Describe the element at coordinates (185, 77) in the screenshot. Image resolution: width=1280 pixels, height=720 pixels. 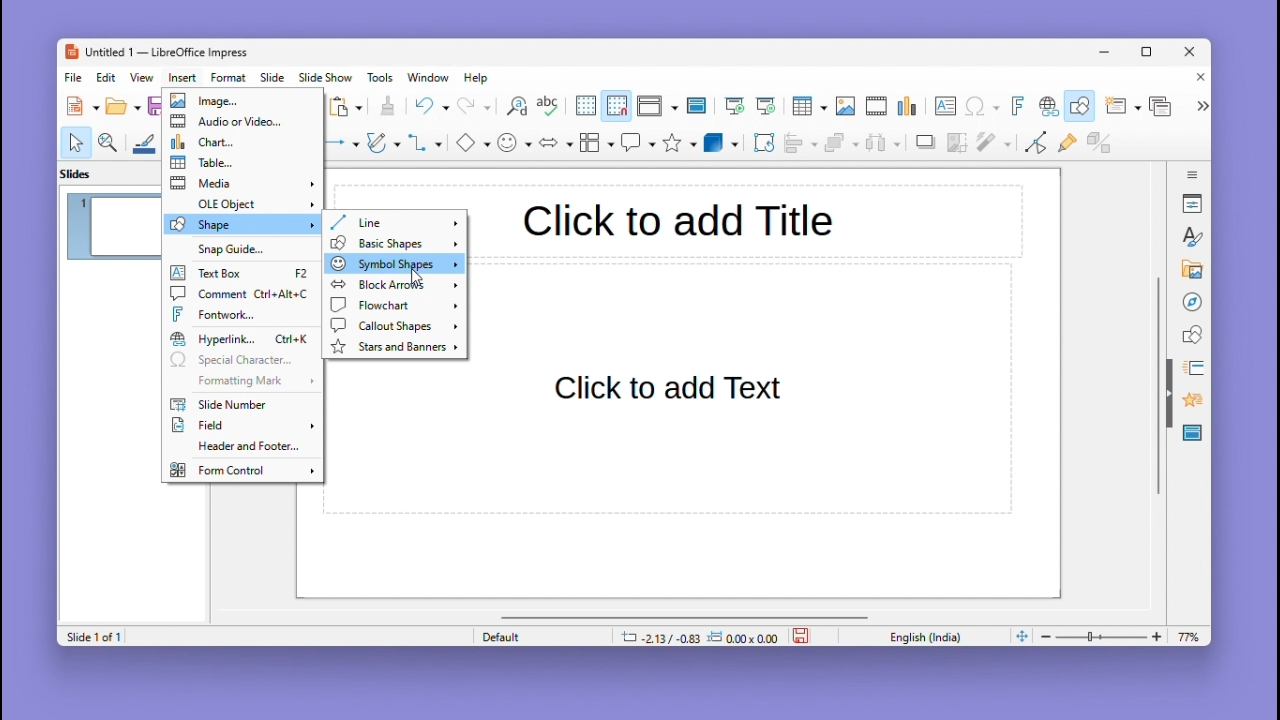
I see `Insert` at that location.